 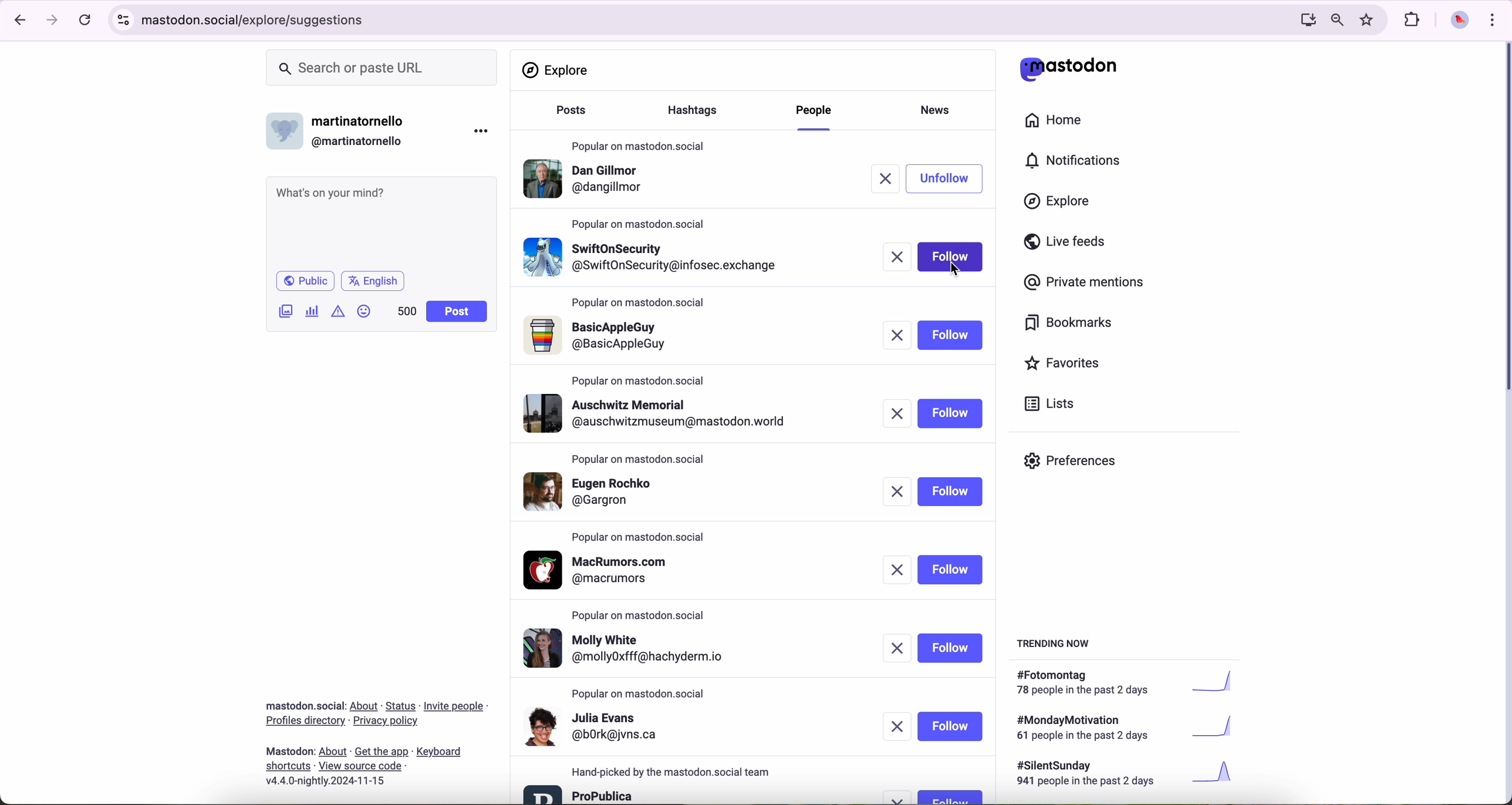 I want to click on posts, so click(x=568, y=116).